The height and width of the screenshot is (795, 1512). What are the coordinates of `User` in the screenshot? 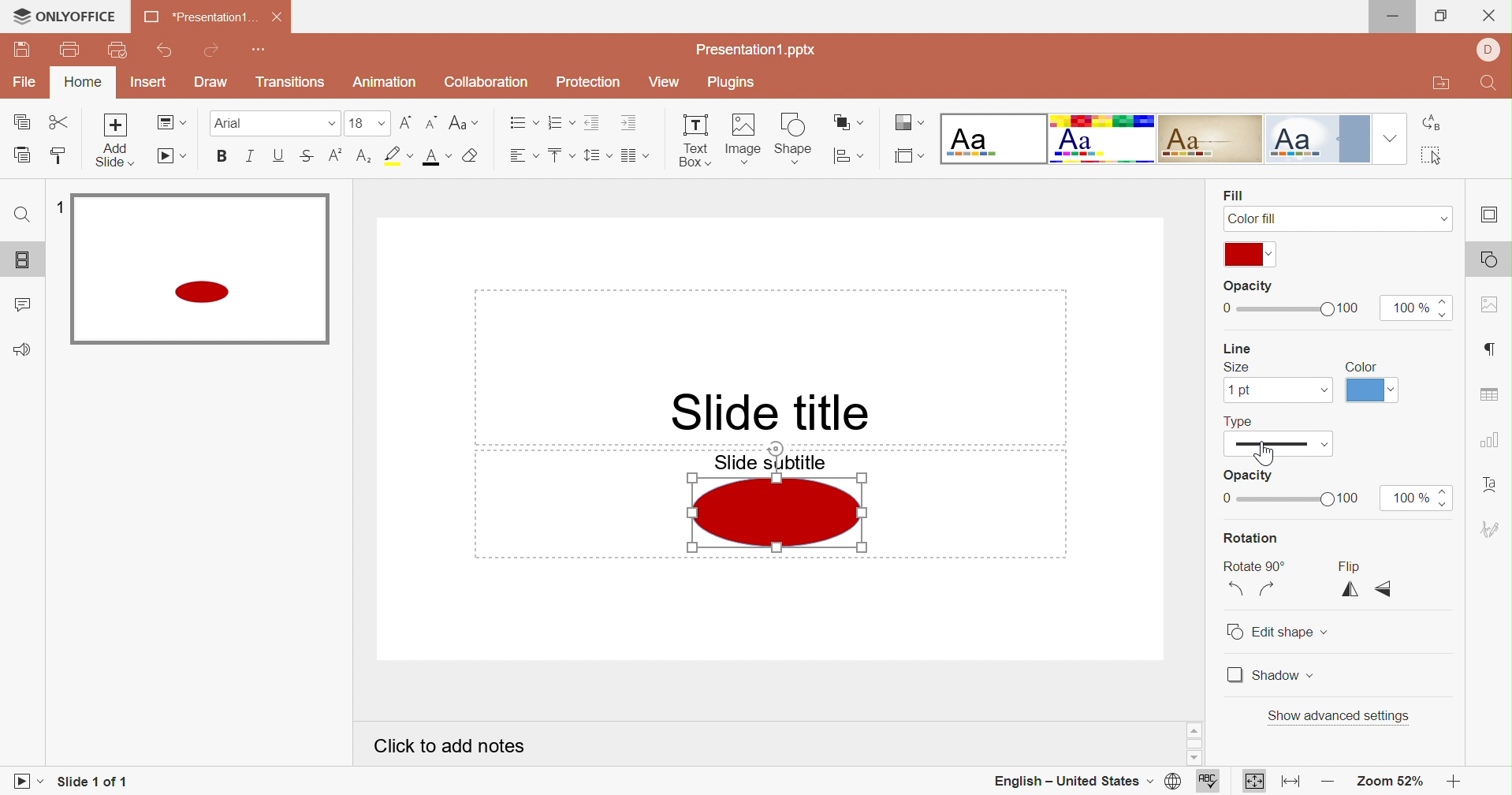 It's located at (1487, 50).